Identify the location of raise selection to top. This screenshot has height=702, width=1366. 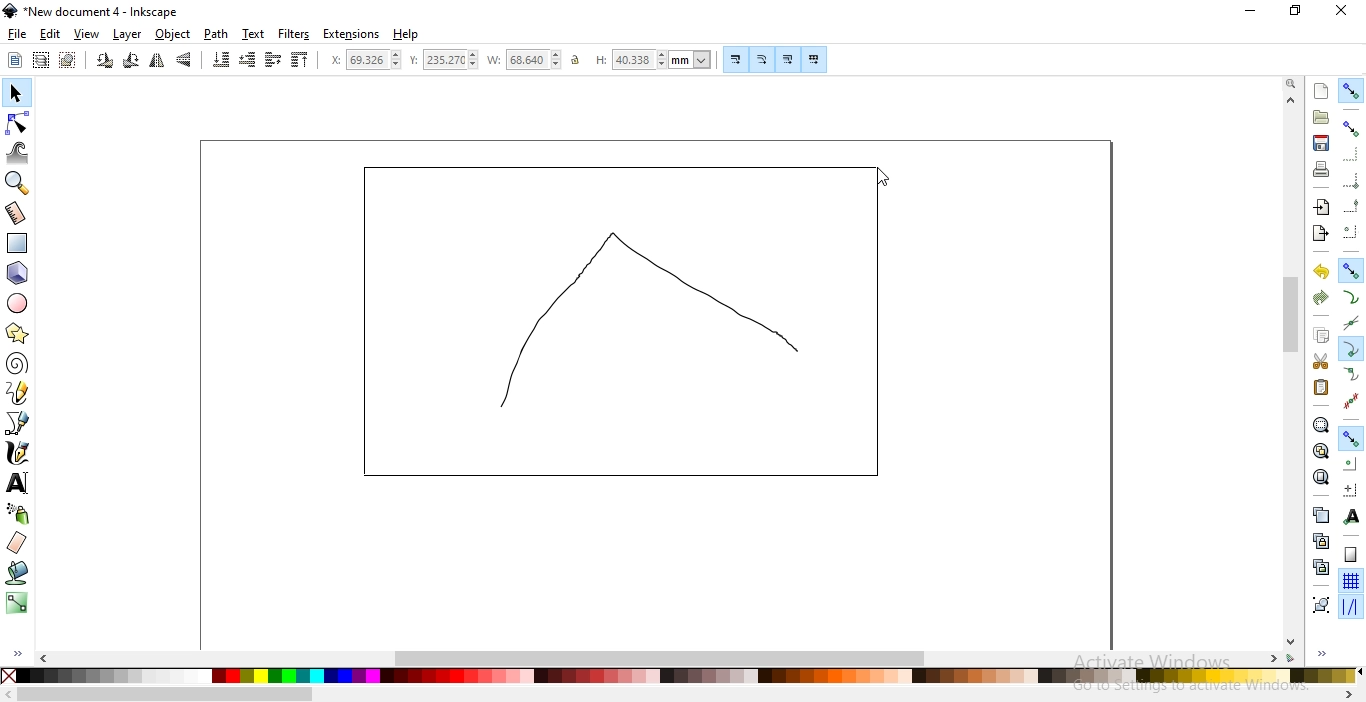
(300, 59).